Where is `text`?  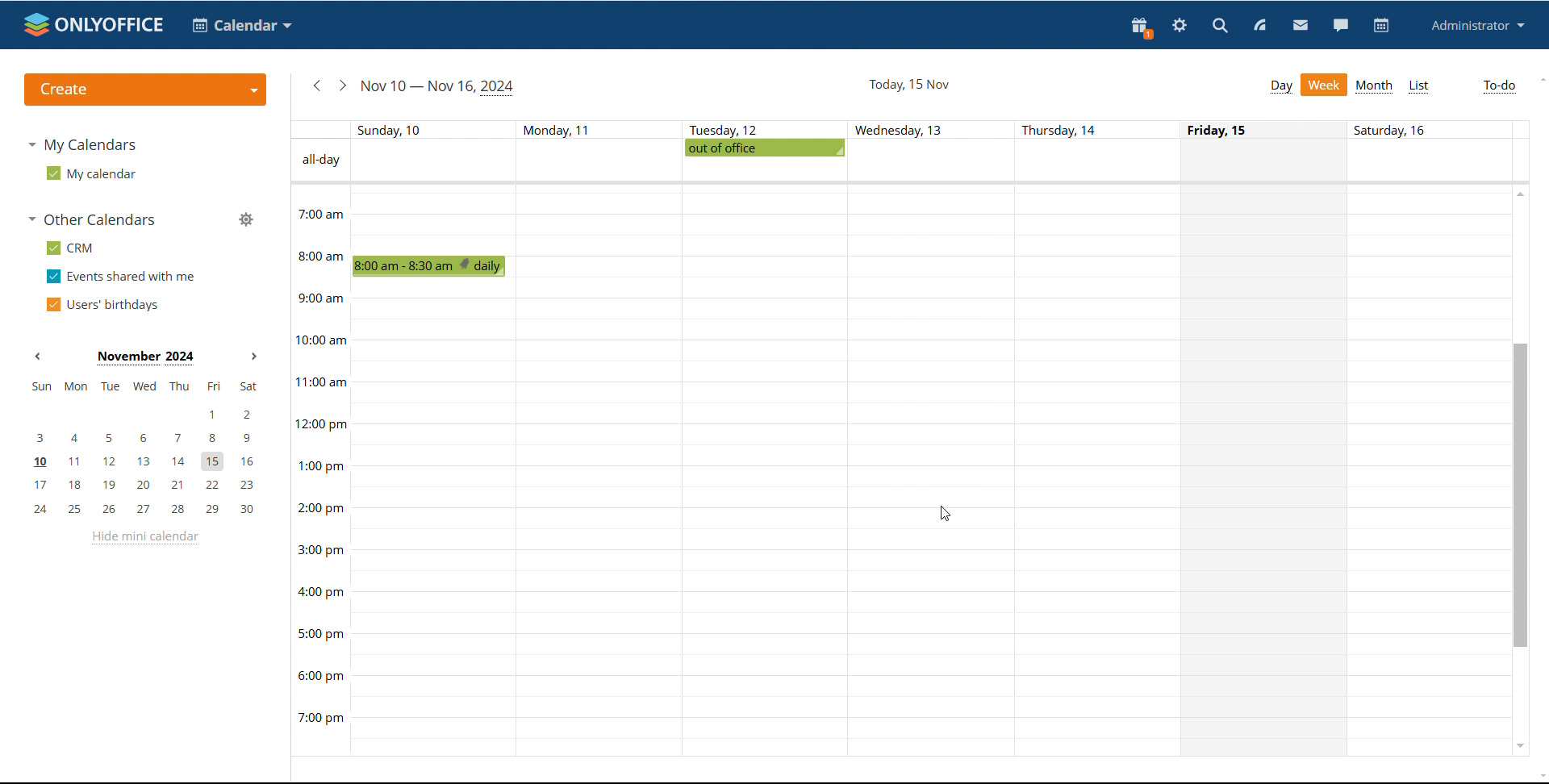 text is located at coordinates (557, 127).